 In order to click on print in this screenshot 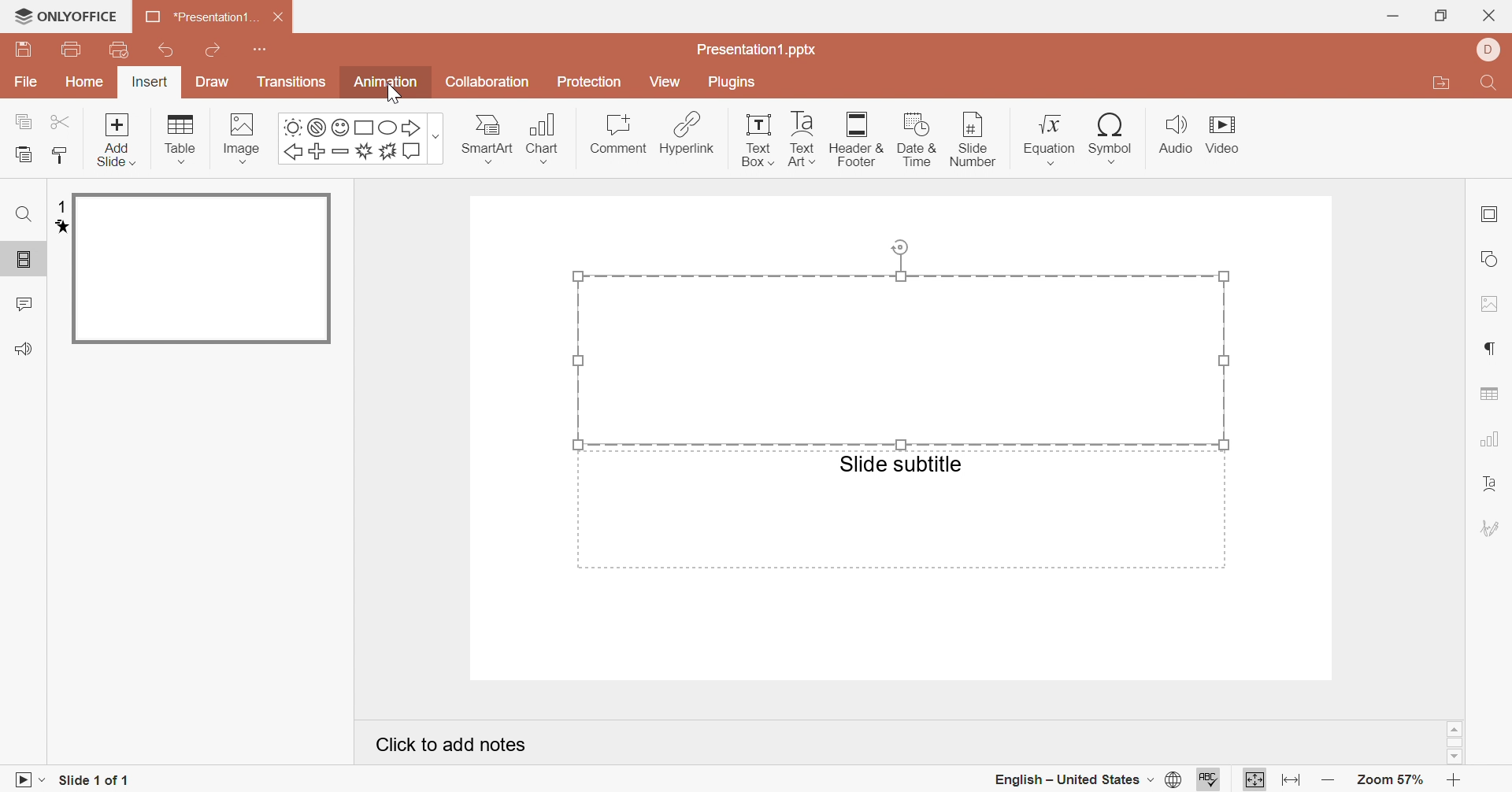, I will do `click(73, 48)`.